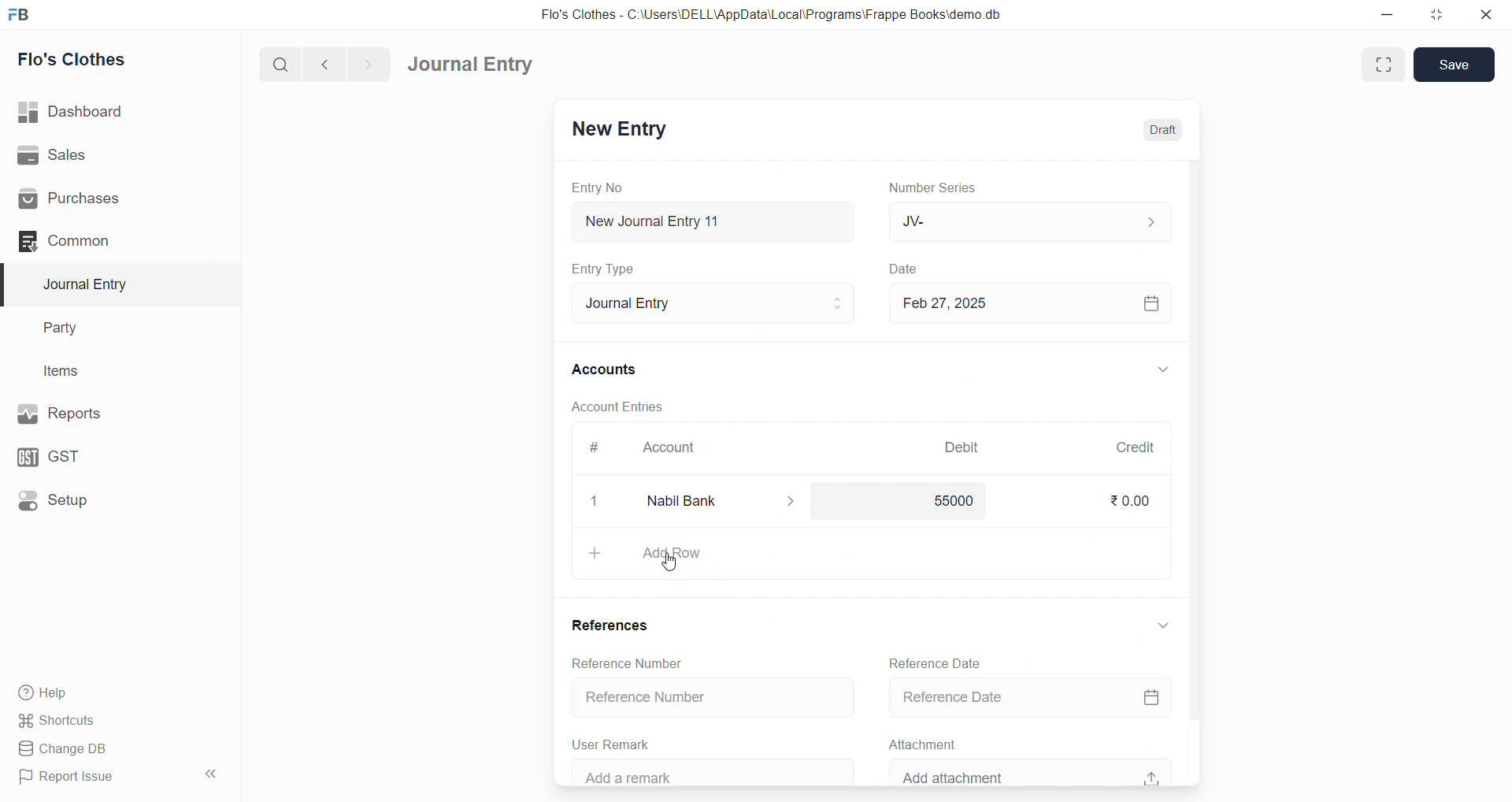 This screenshot has width=1512, height=802. I want to click on GST, so click(86, 457).